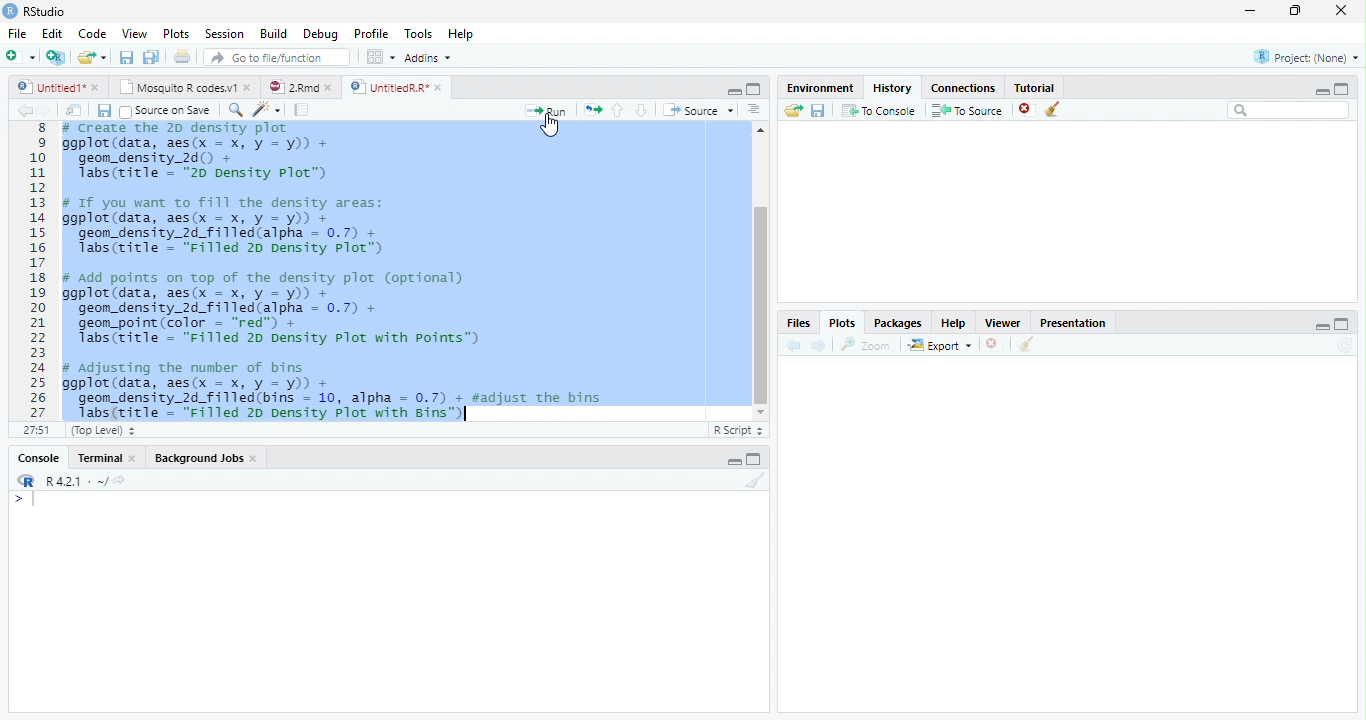  I want to click on ' RStudio, so click(34, 12).